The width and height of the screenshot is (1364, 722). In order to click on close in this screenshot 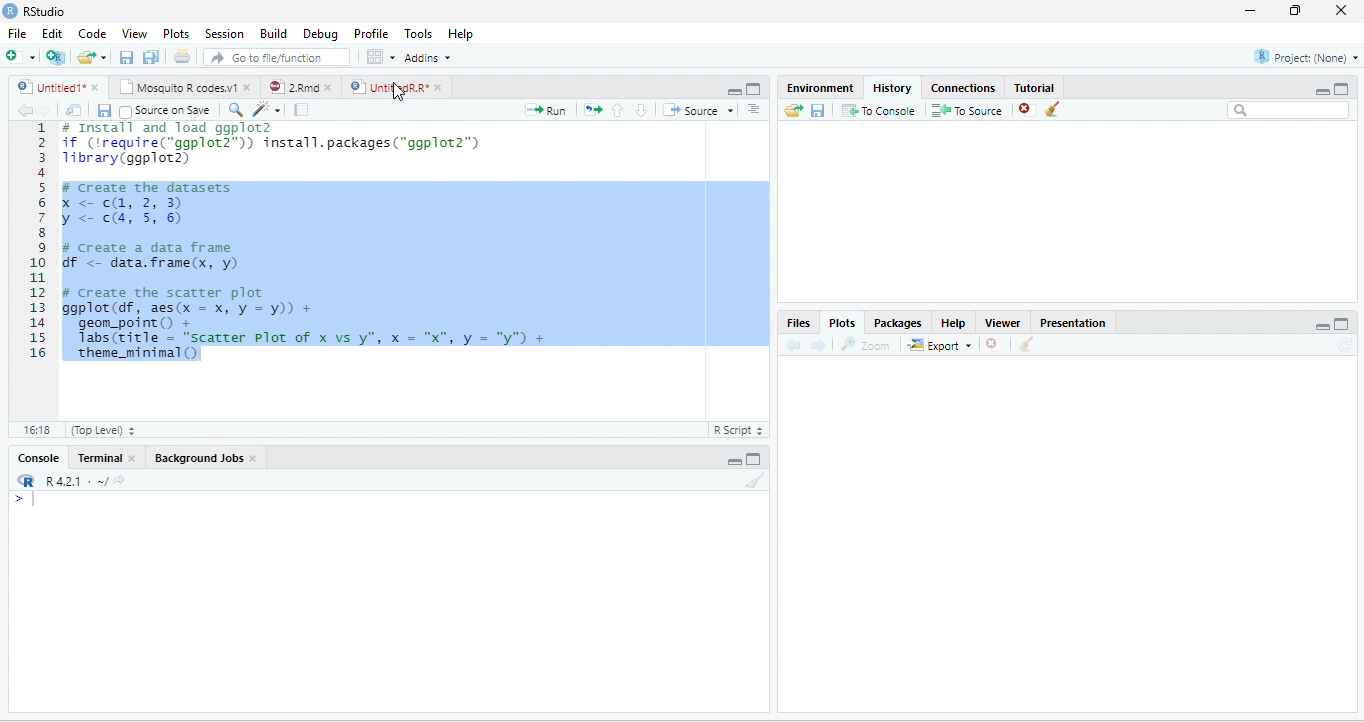, I will do `click(95, 87)`.